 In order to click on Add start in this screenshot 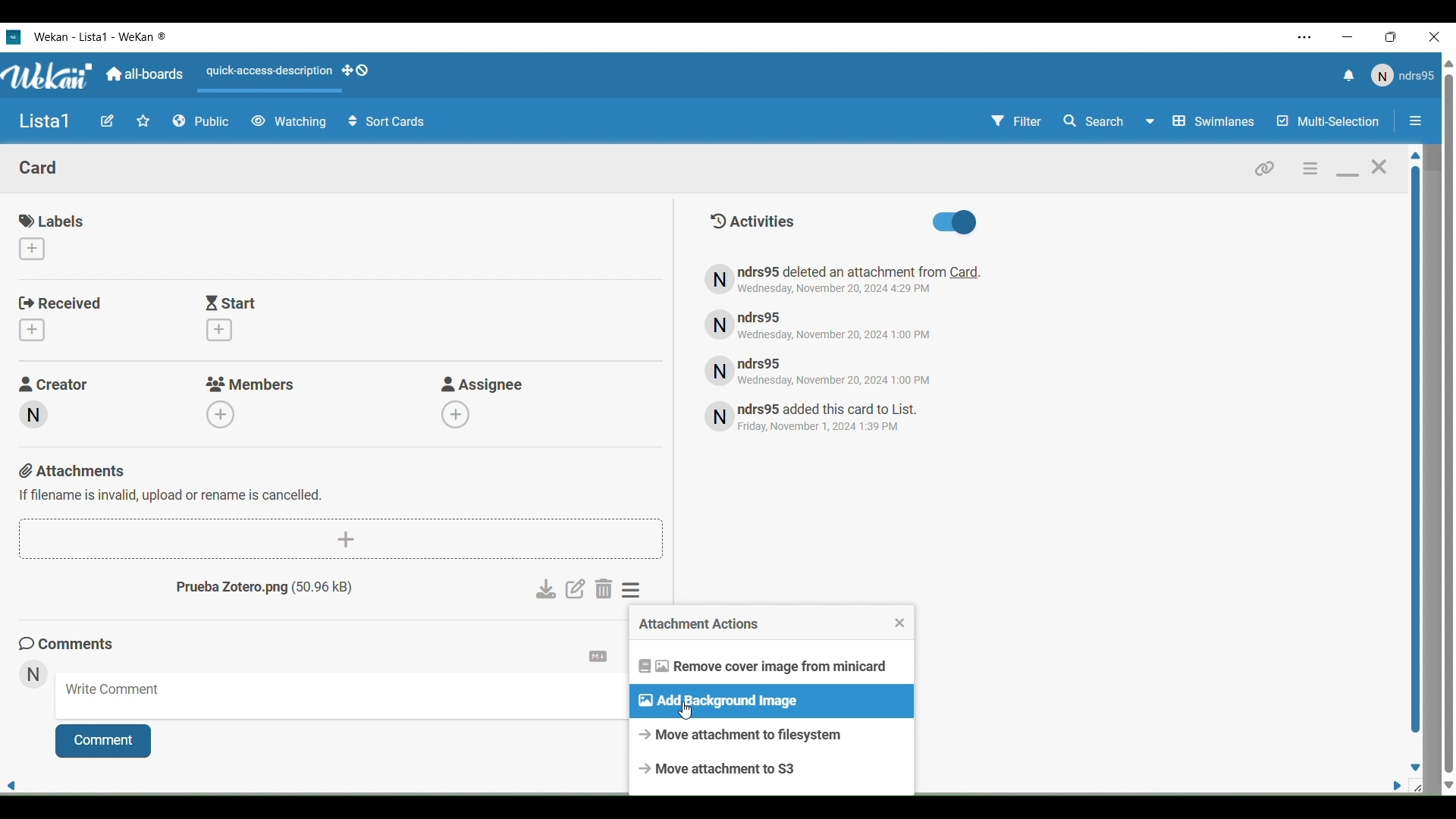, I will do `click(221, 330)`.